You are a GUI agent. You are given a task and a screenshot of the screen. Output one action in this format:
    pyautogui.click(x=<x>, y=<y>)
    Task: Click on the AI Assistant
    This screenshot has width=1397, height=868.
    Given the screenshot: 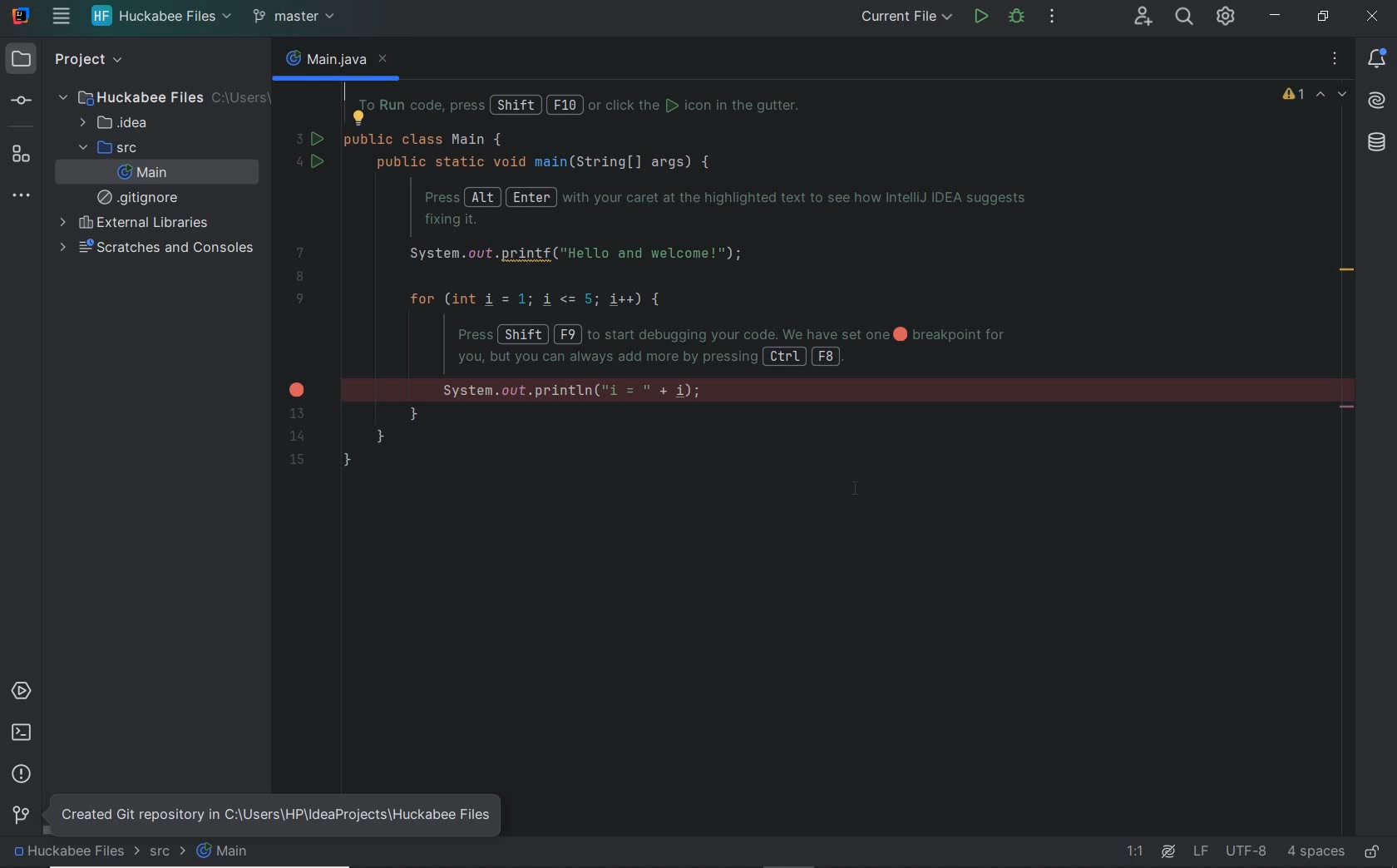 What is the action you would take?
    pyautogui.click(x=1377, y=101)
    